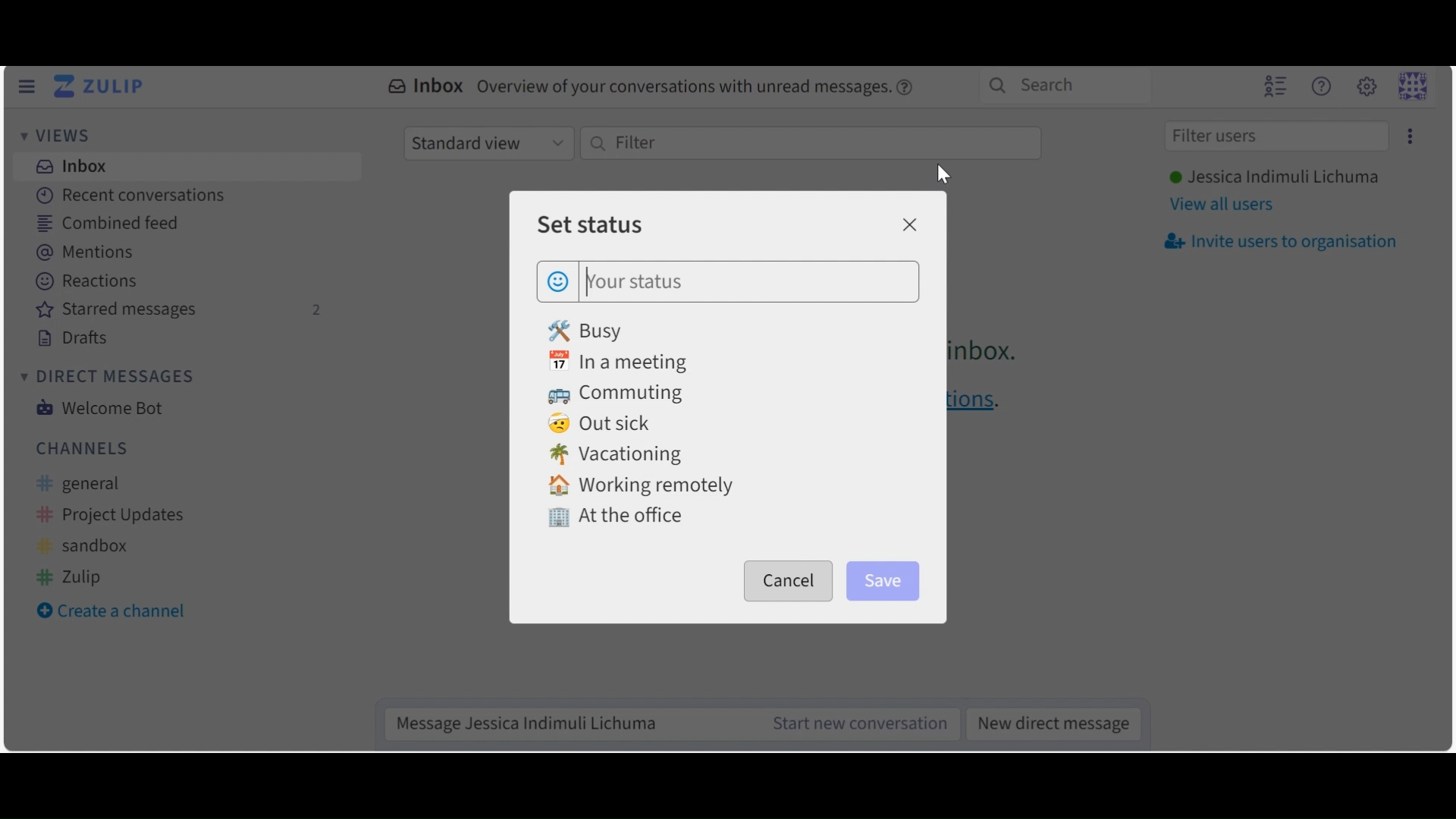 The width and height of the screenshot is (1456, 819). What do you see at coordinates (71, 576) in the screenshot?
I see `zulip` at bounding box center [71, 576].